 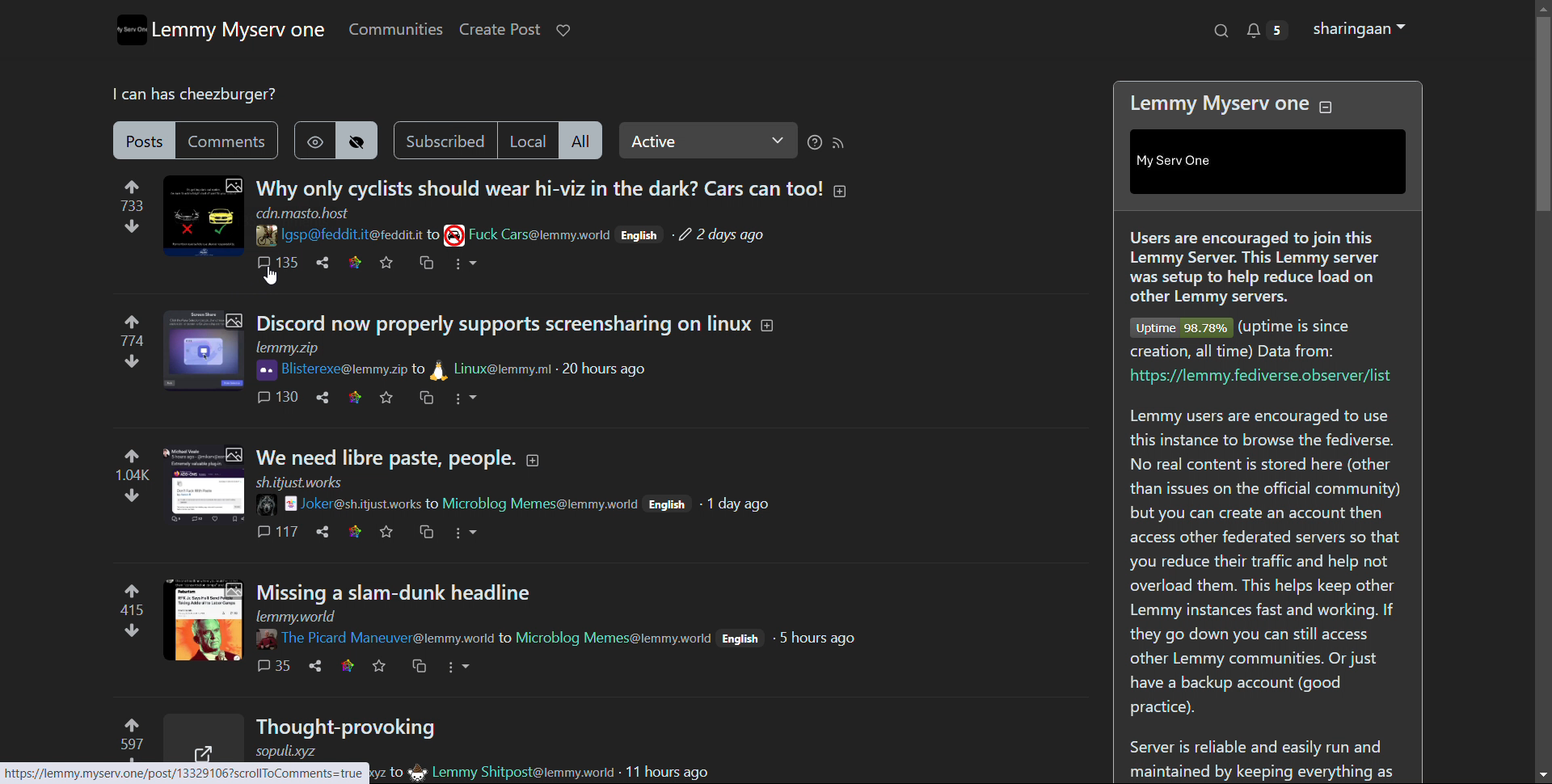 What do you see at coordinates (302, 213) in the screenshot?
I see `url` at bounding box center [302, 213].